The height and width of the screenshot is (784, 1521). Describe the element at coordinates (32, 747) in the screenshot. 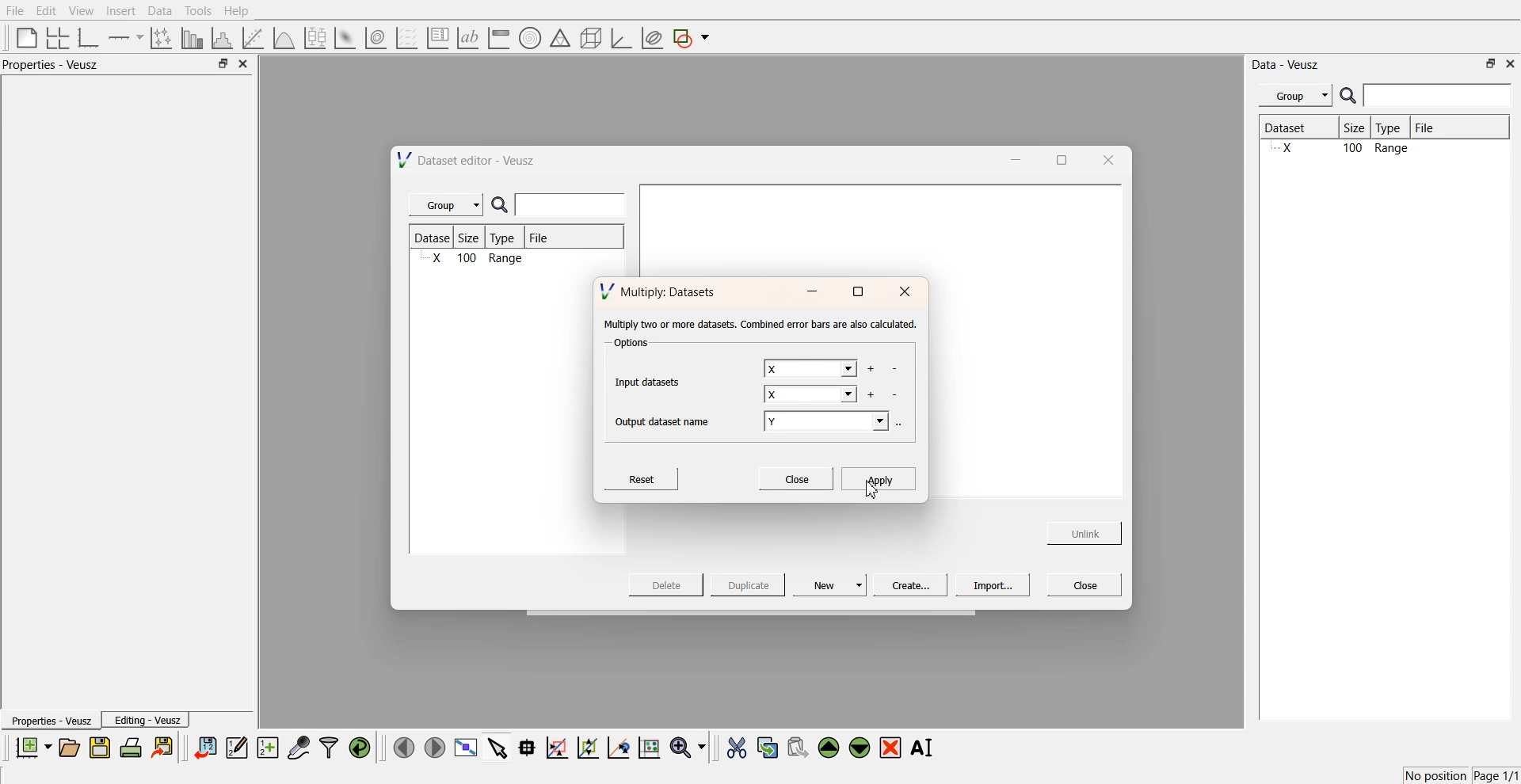

I see `new documents` at that location.